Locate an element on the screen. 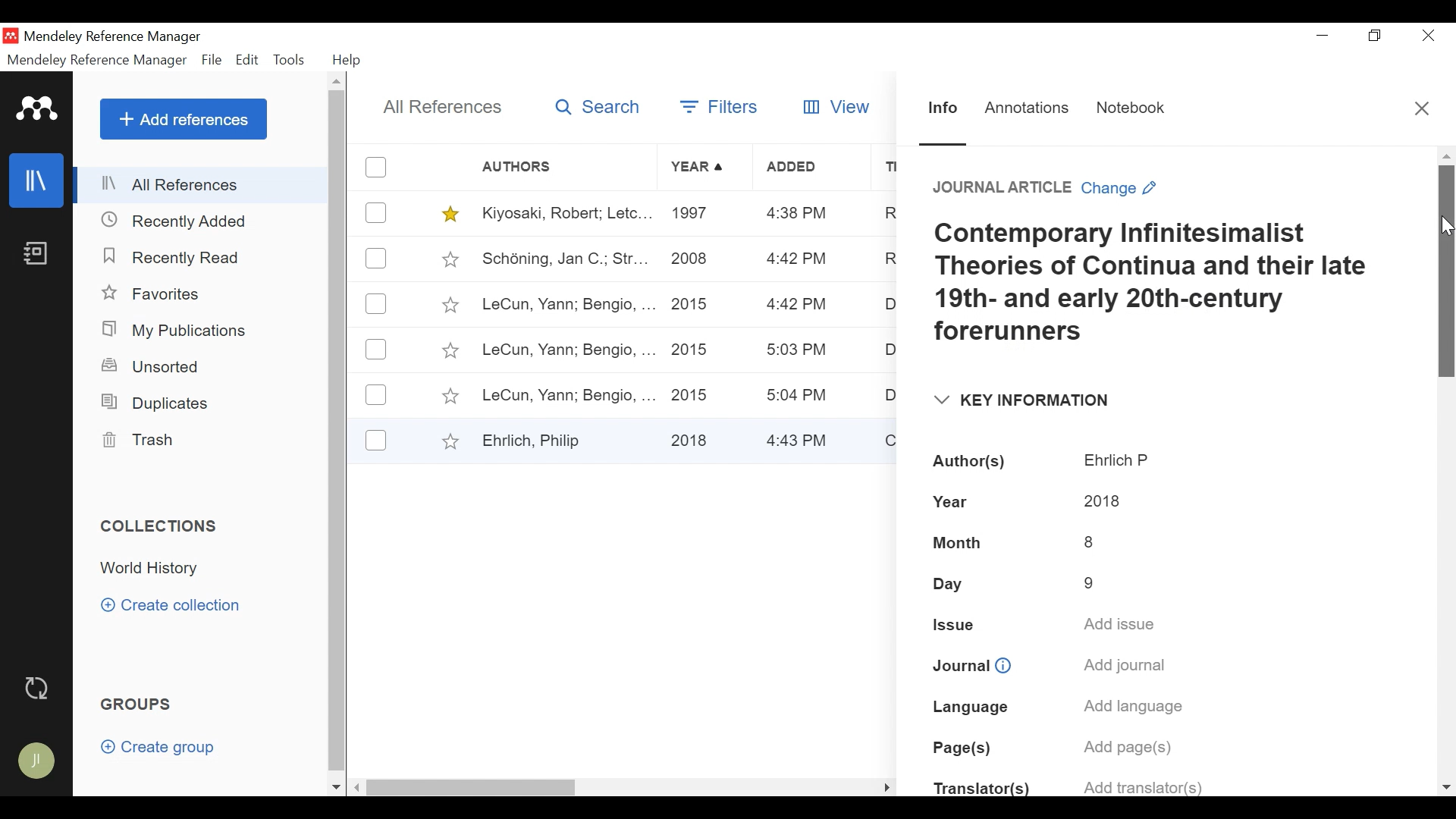  My Publications is located at coordinates (174, 331).